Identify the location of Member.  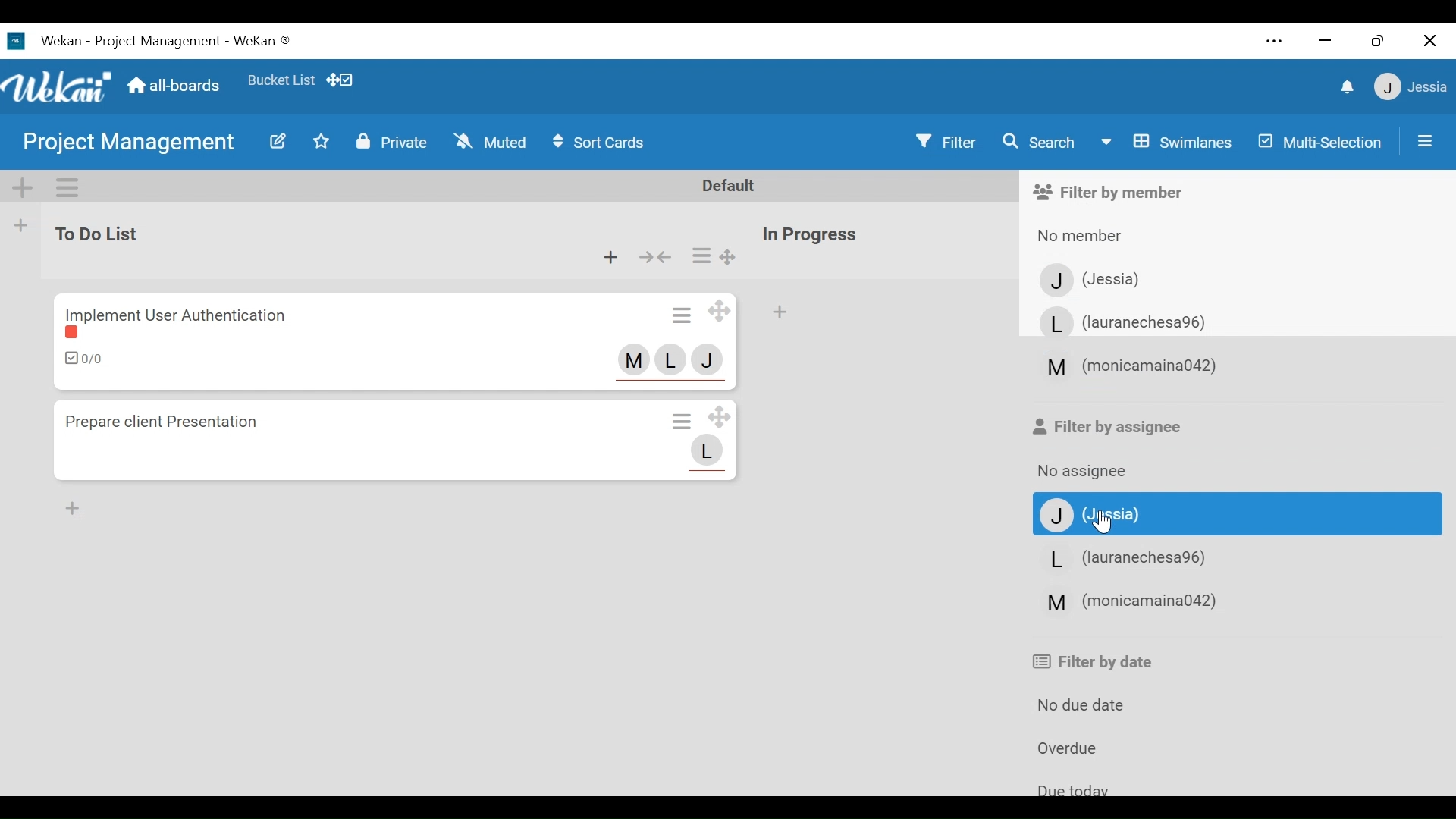
(1144, 602).